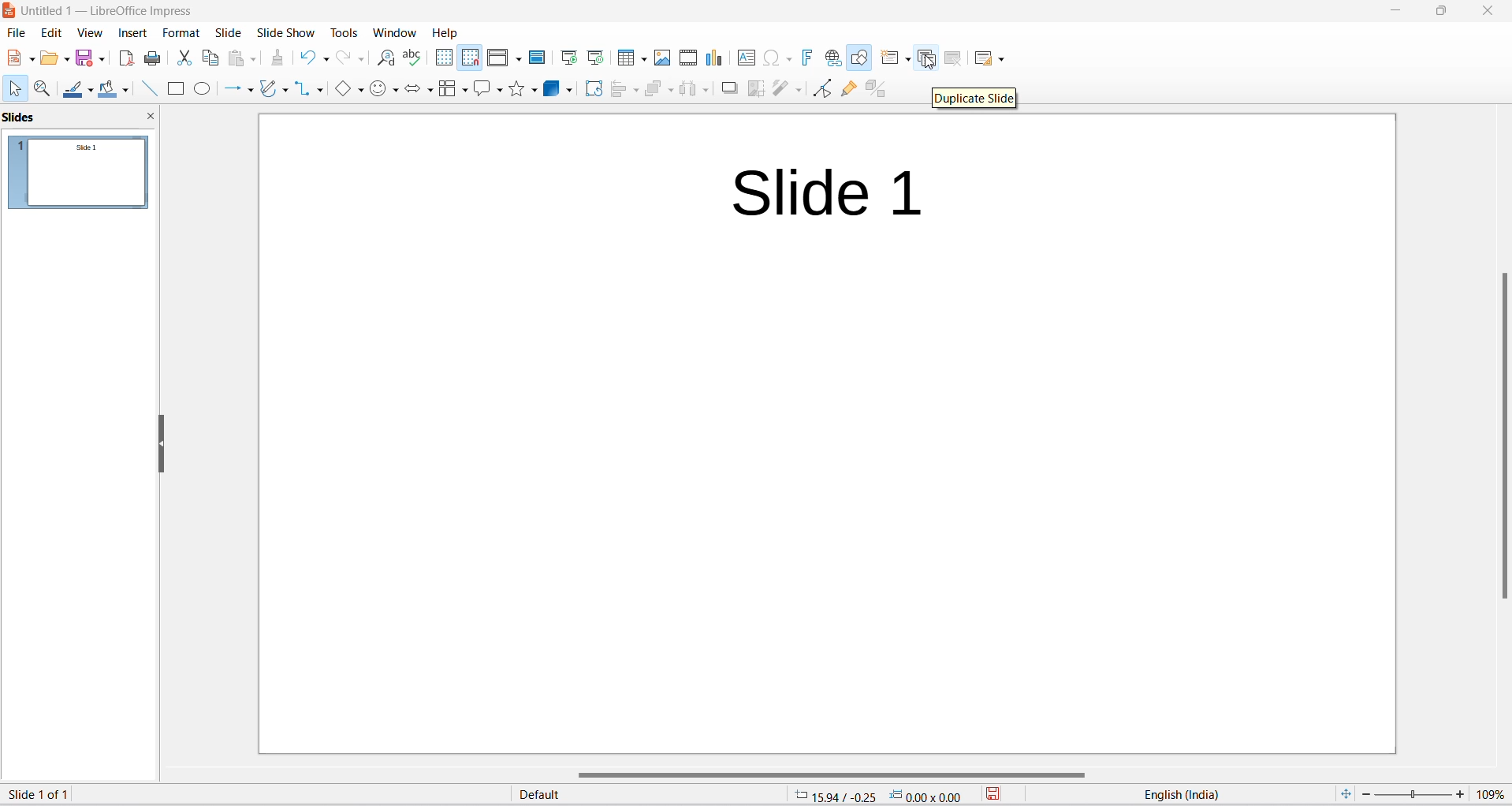  What do you see at coordinates (344, 31) in the screenshot?
I see `tools` at bounding box center [344, 31].